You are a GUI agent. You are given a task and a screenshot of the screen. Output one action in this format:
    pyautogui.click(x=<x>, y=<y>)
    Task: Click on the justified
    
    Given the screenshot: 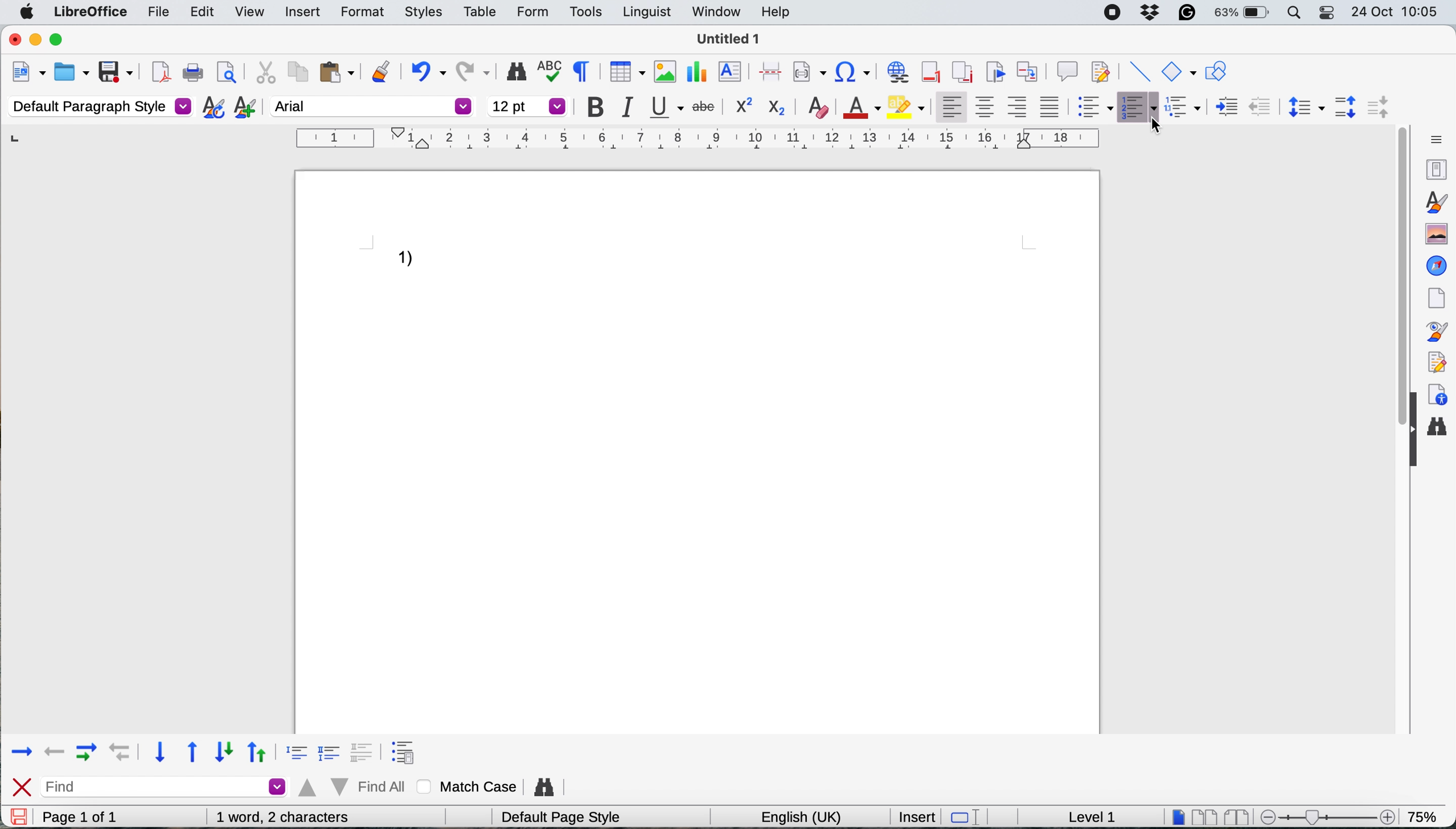 What is the action you would take?
    pyautogui.click(x=1053, y=106)
    